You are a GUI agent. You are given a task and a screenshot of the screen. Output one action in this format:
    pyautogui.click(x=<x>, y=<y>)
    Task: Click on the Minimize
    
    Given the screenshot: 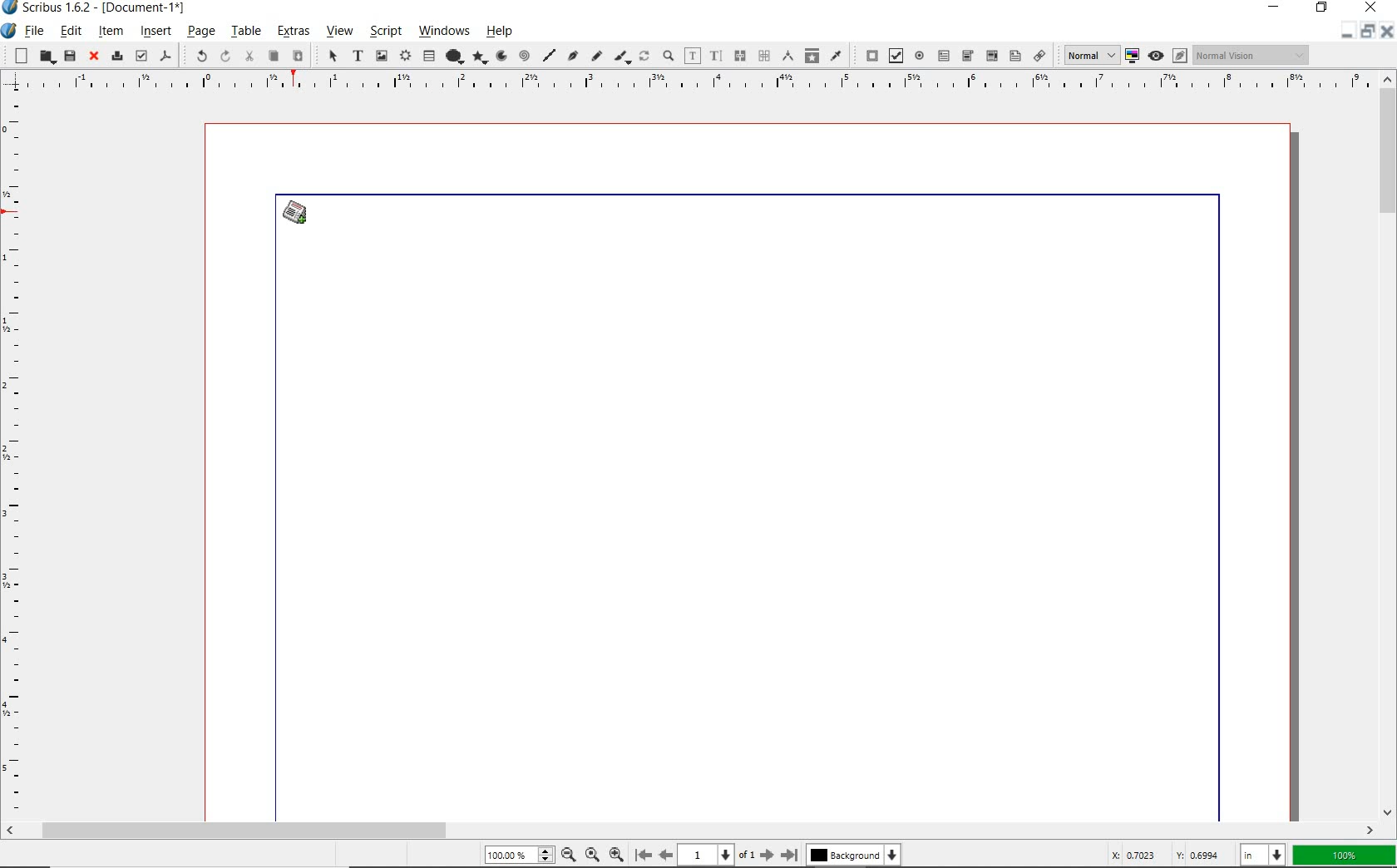 What is the action you would take?
    pyautogui.click(x=1367, y=31)
    